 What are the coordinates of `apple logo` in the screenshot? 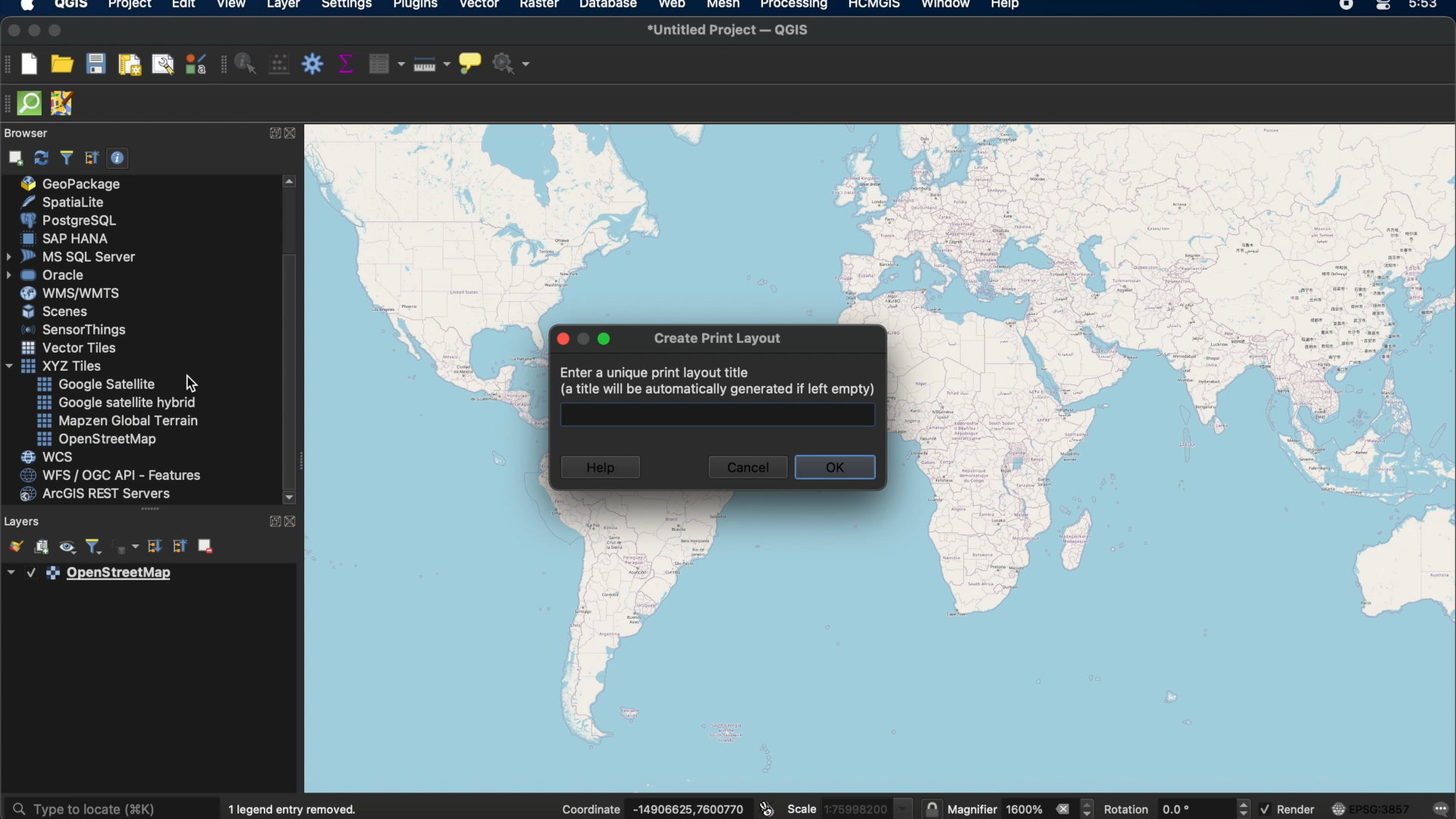 It's located at (27, 6).